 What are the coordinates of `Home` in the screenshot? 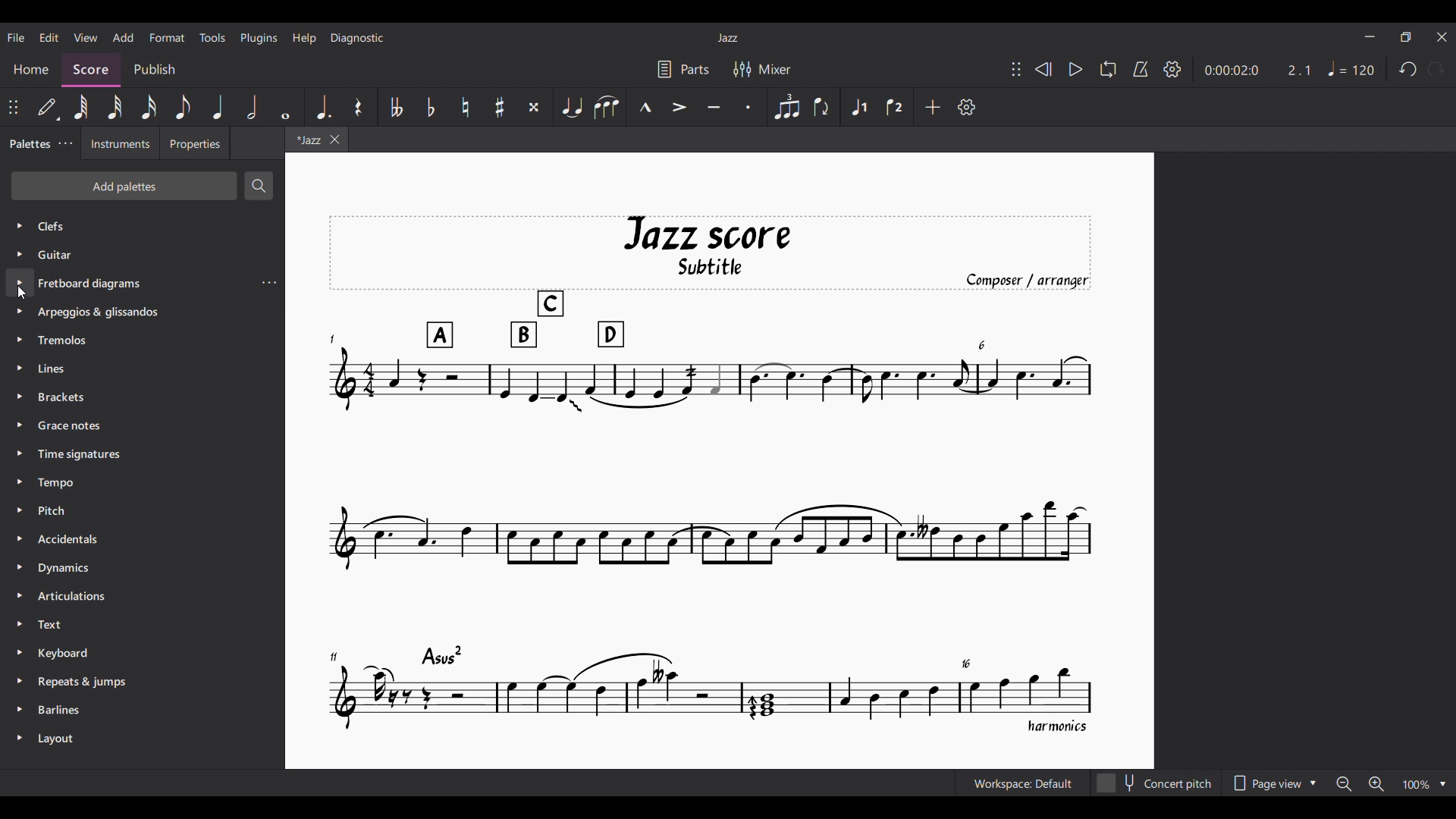 It's located at (31, 71).